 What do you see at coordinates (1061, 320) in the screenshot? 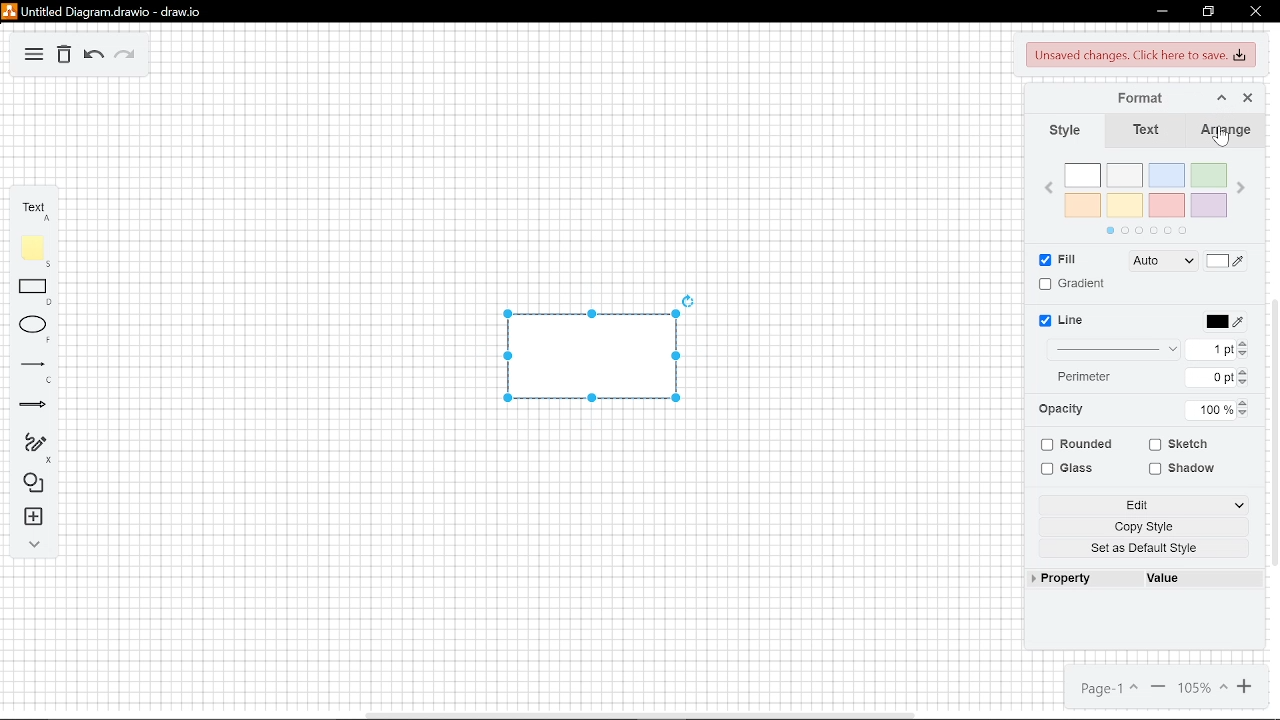
I see `line` at bounding box center [1061, 320].